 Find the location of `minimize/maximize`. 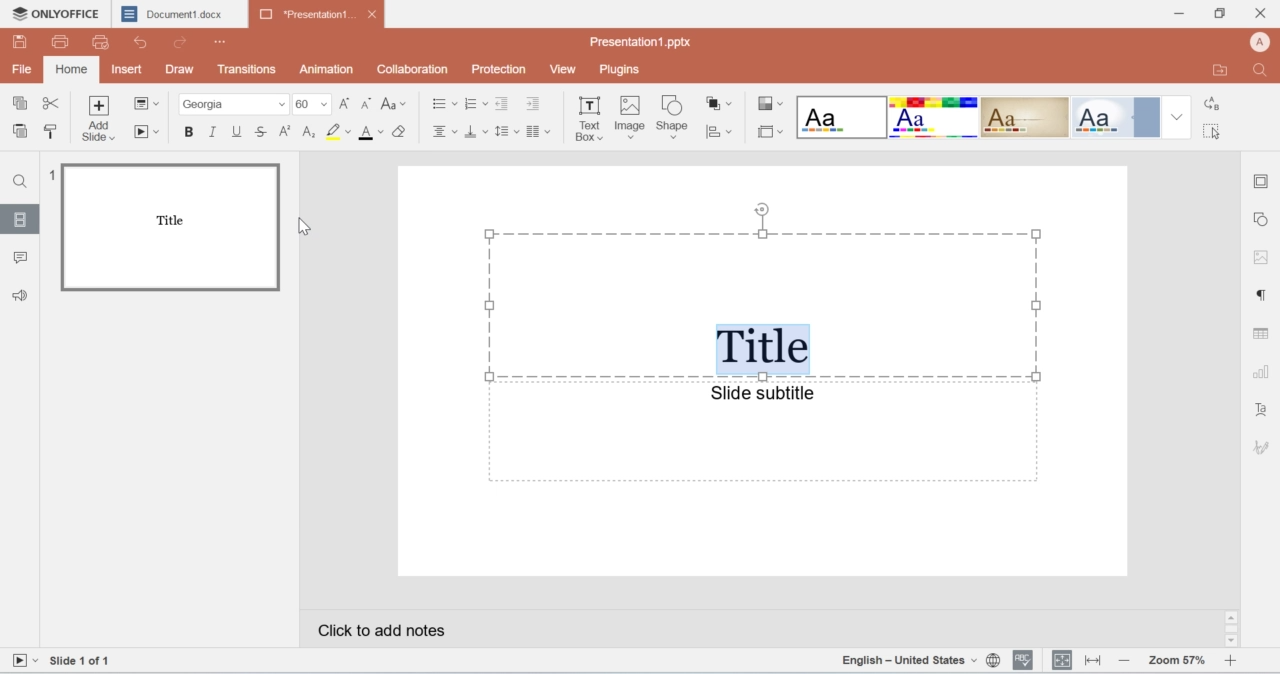

minimize/maximize is located at coordinates (1218, 14).